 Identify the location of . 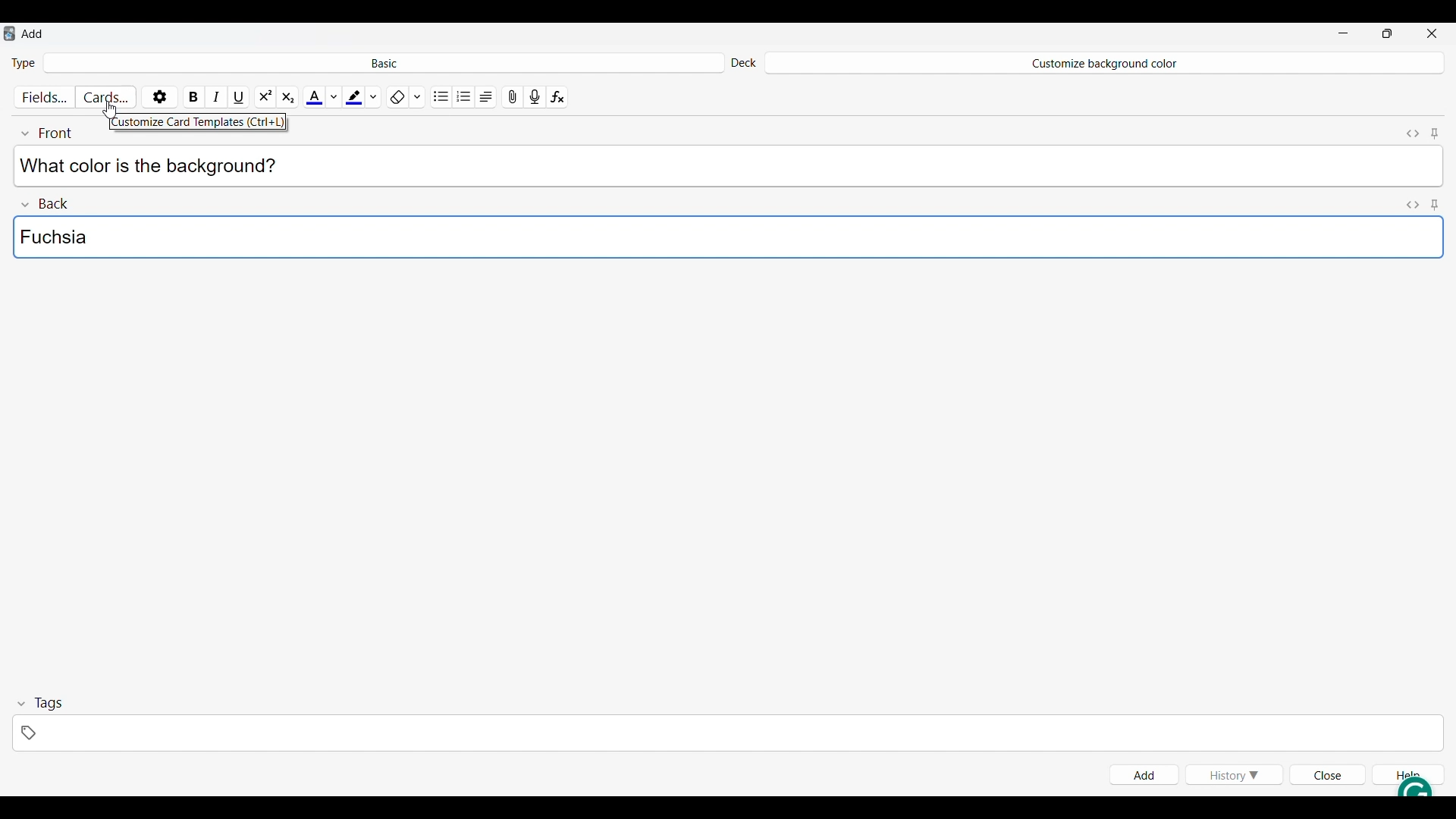
(1144, 776).